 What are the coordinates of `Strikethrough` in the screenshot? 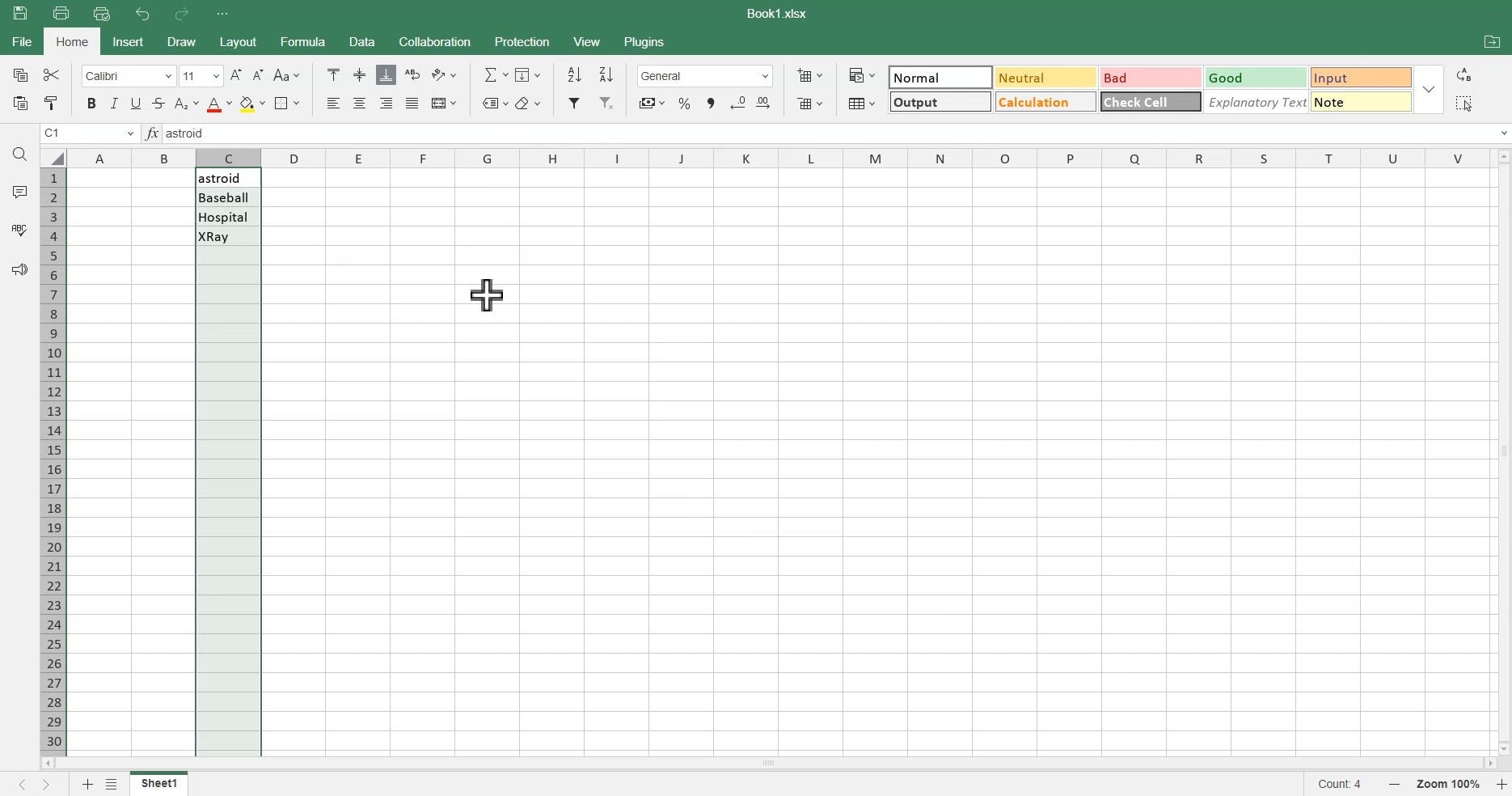 It's located at (158, 103).